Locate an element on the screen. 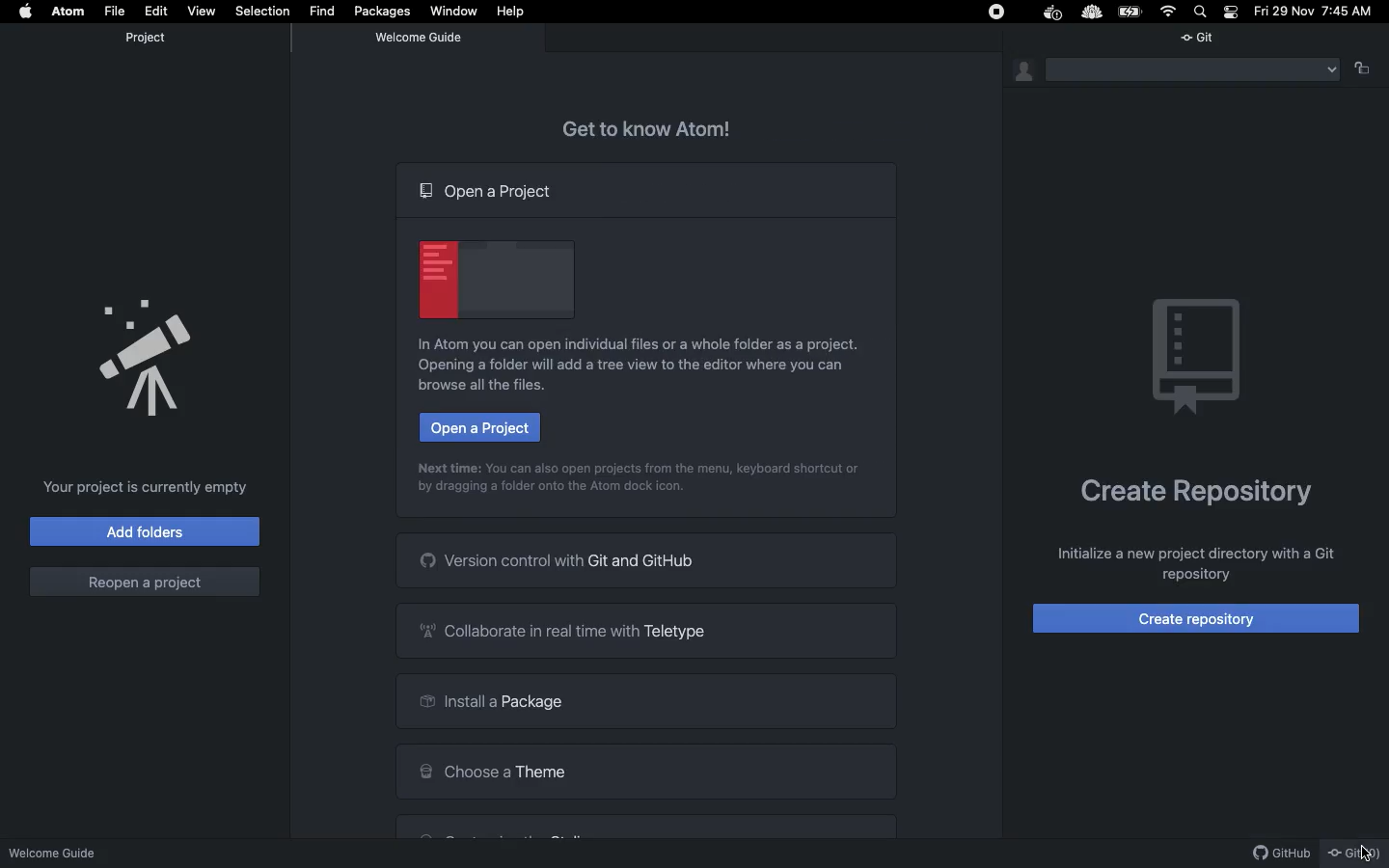 The width and height of the screenshot is (1389, 868). Menu is located at coordinates (1193, 70).